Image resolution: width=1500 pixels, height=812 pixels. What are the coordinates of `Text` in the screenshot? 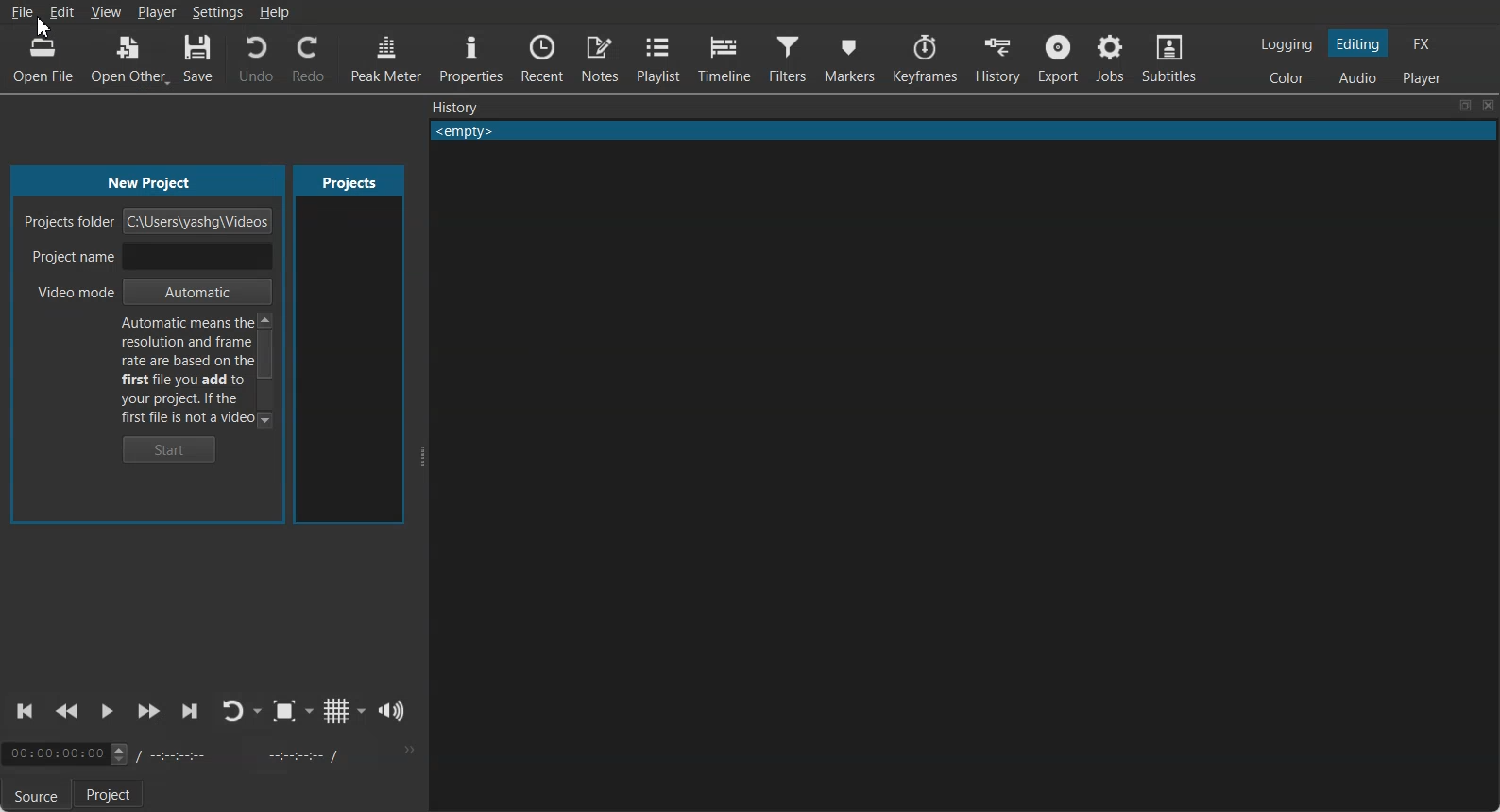 It's located at (963, 131).